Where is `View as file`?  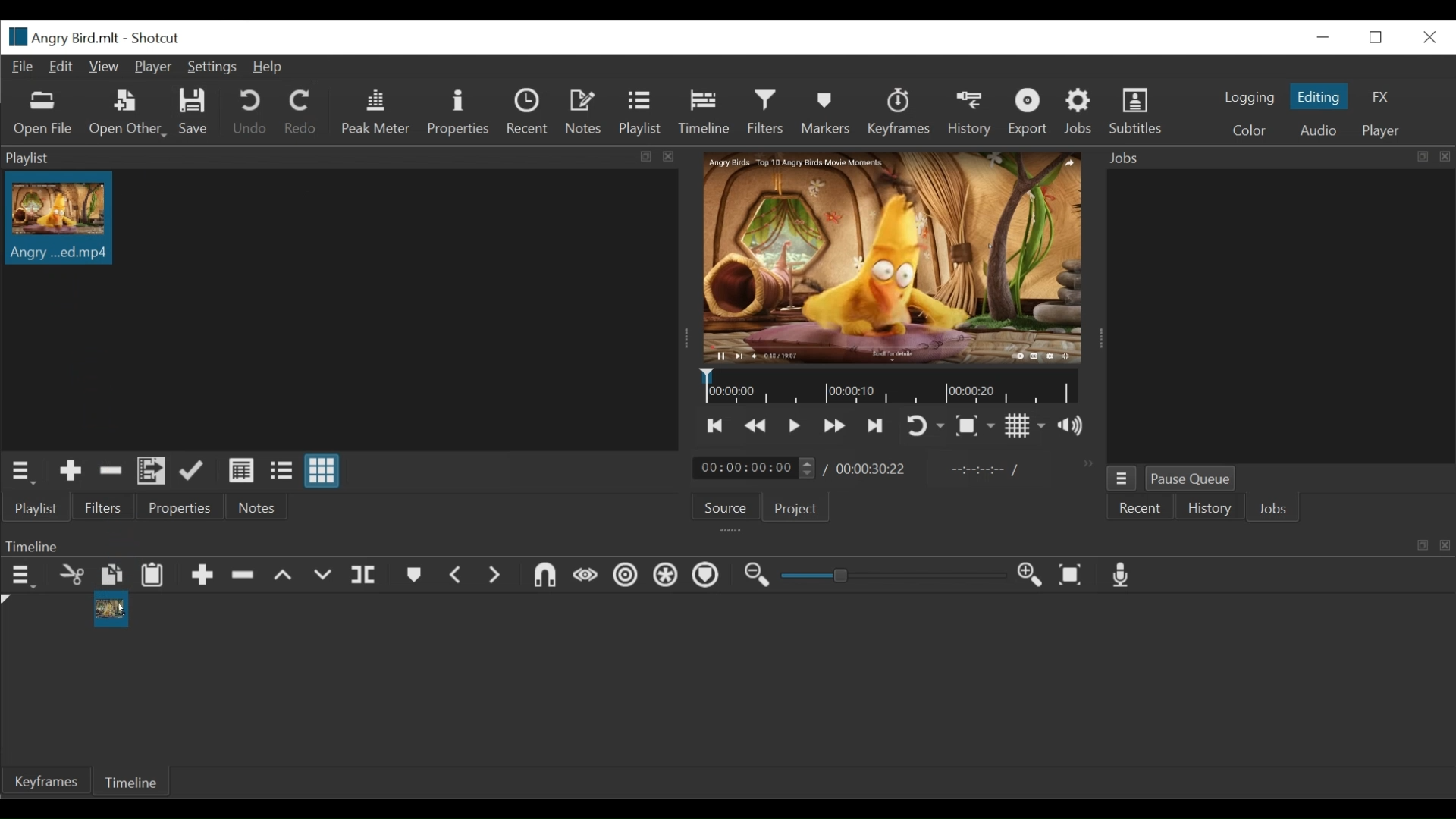 View as file is located at coordinates (281, 471).